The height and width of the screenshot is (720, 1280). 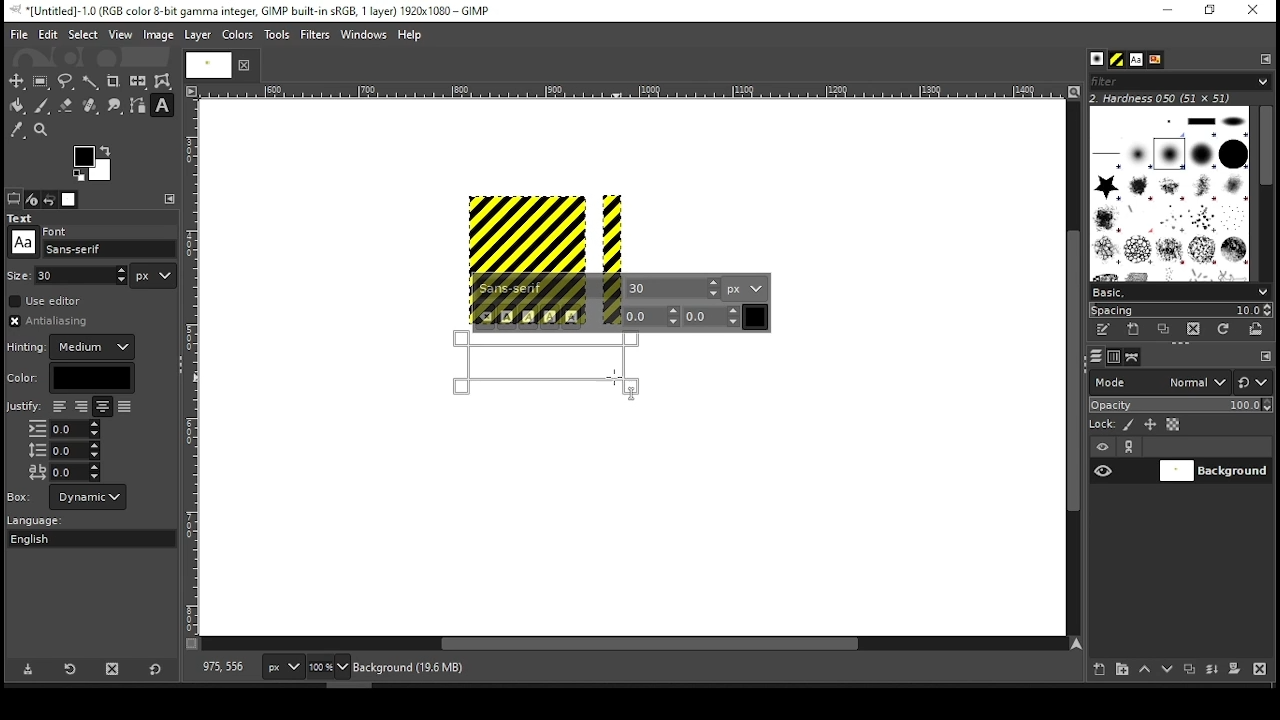 What do you see at coordinates (1152, 425) in the screenshot?
I see `lock size and positioning` at bounding box center [1152, 425].